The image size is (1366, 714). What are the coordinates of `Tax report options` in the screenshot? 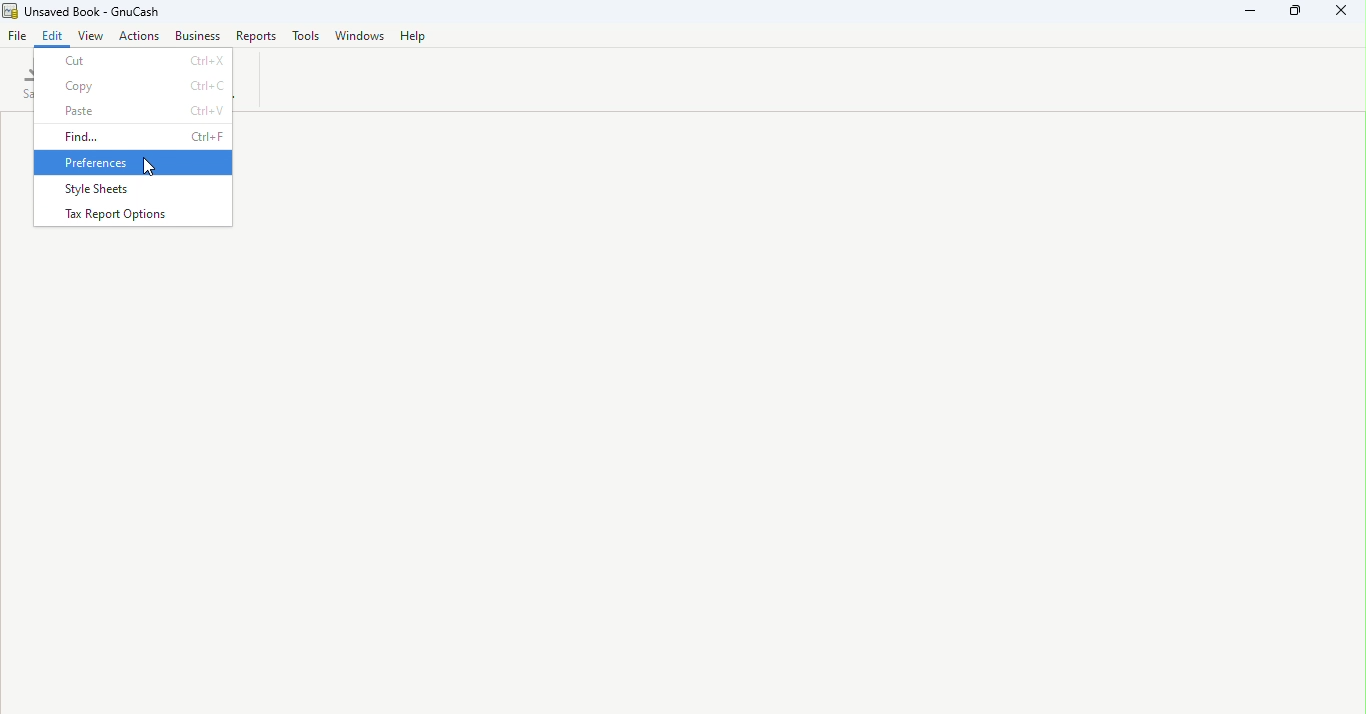 It's located at (139, 214).